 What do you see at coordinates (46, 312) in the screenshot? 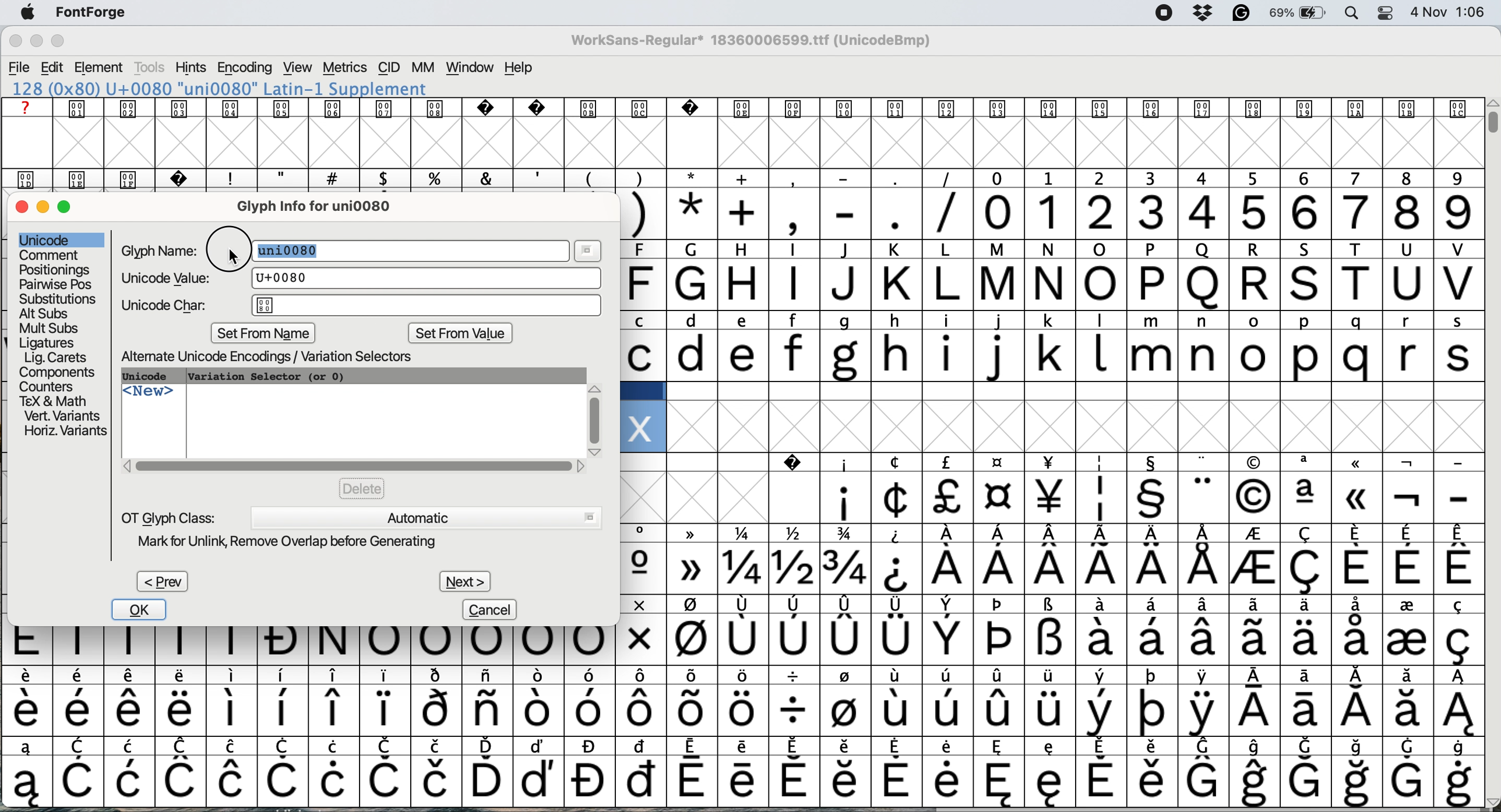
I see `alt subs` at bounding box center [46, 312].